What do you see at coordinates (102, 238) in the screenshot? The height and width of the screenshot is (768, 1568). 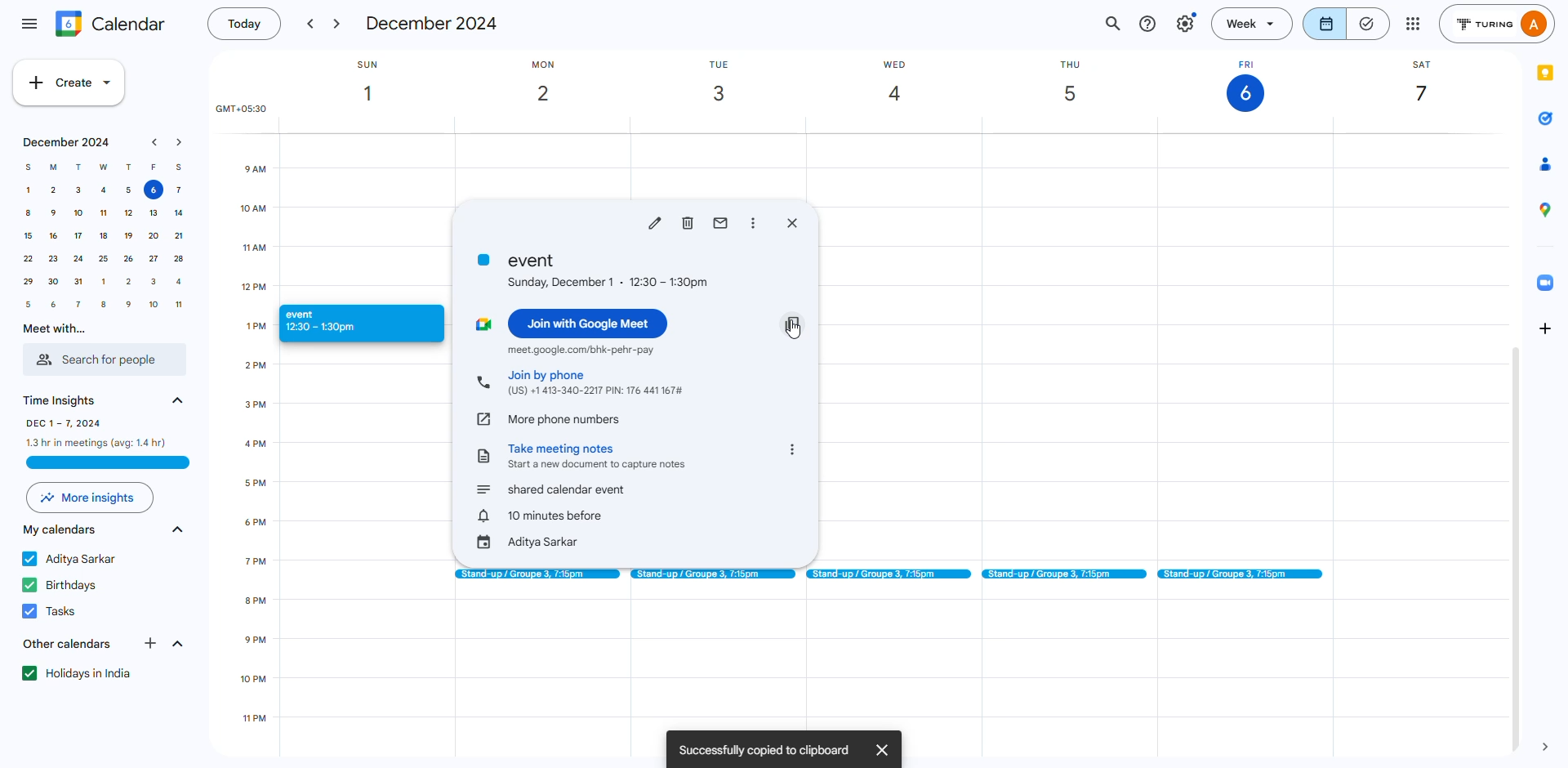 I see `18` at bounding box center [102, 238].